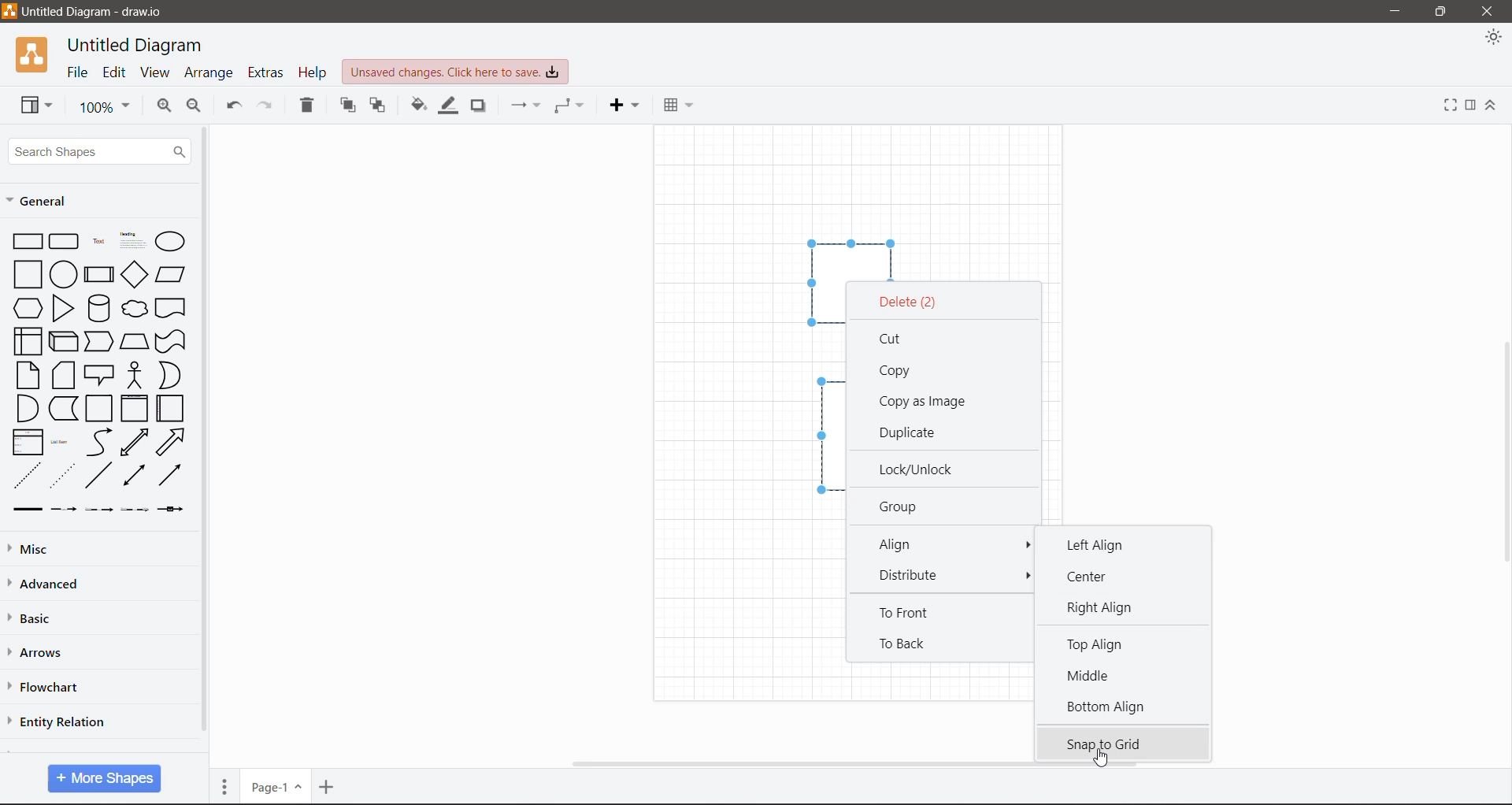  I want to click on Insert Page, so click(328, 786).